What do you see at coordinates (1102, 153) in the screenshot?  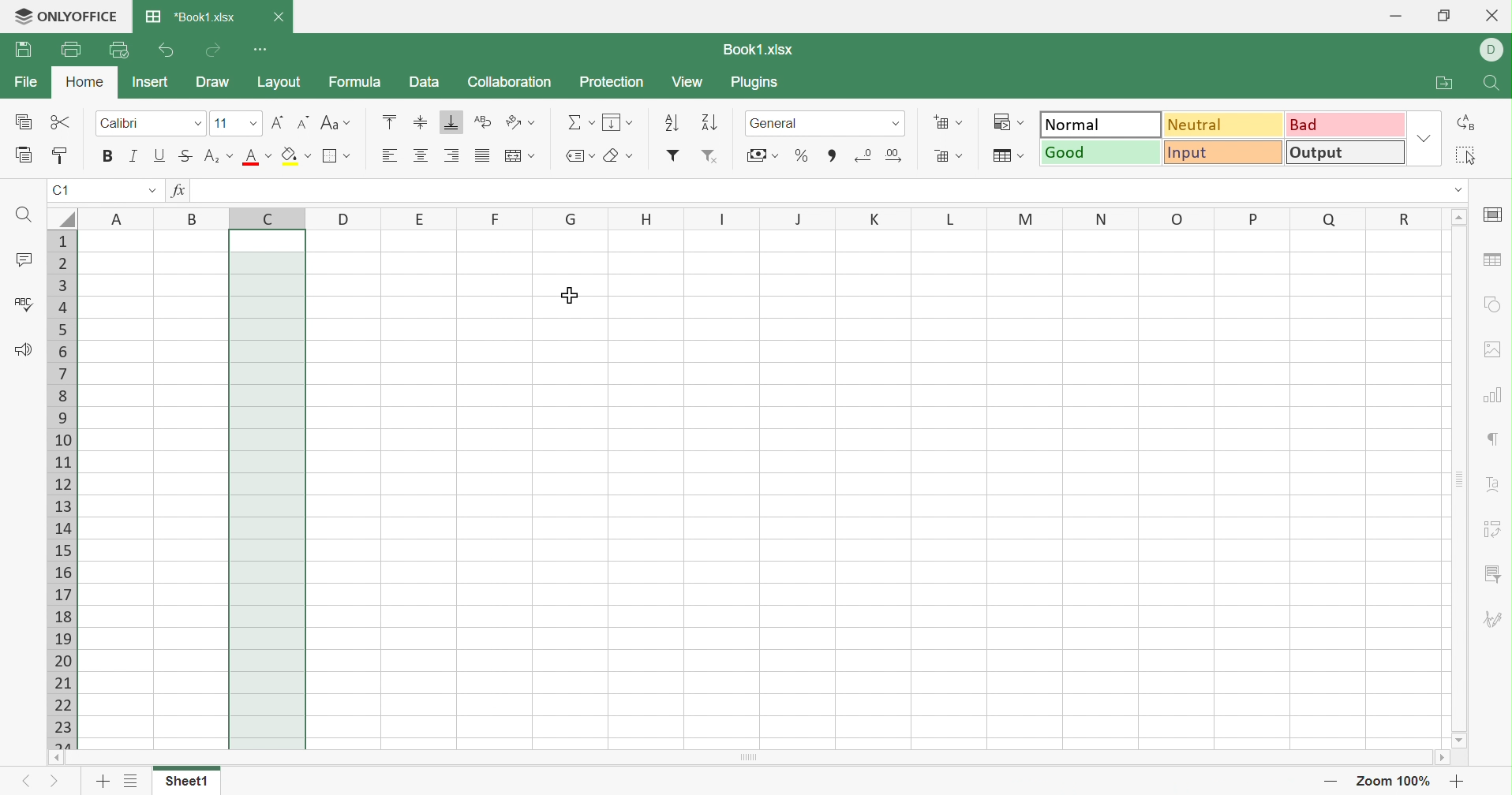 I see `Good` at bounding box center [1102, 153].